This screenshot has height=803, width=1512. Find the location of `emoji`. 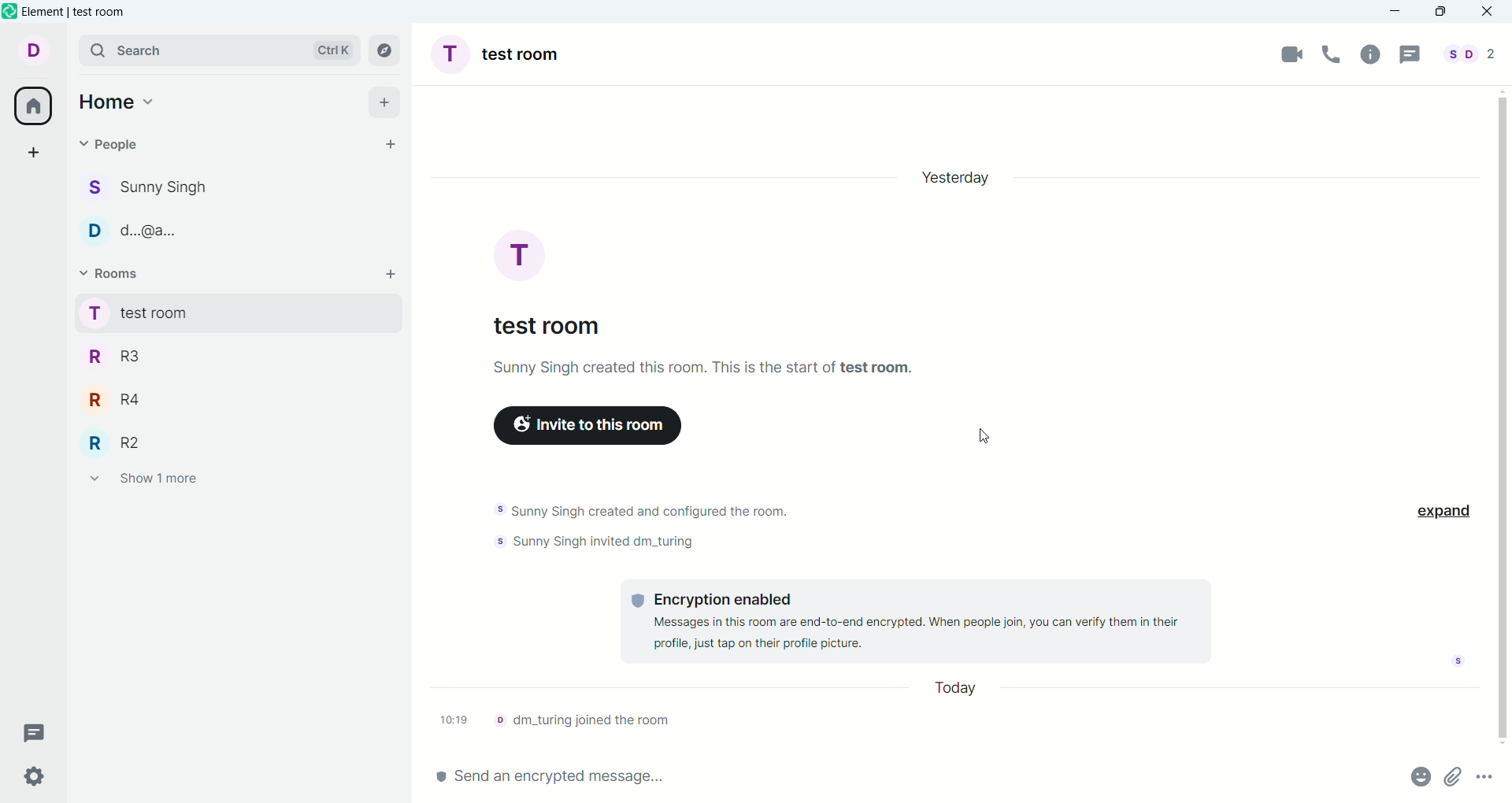

emoji is located at coordinates (1412, 778).